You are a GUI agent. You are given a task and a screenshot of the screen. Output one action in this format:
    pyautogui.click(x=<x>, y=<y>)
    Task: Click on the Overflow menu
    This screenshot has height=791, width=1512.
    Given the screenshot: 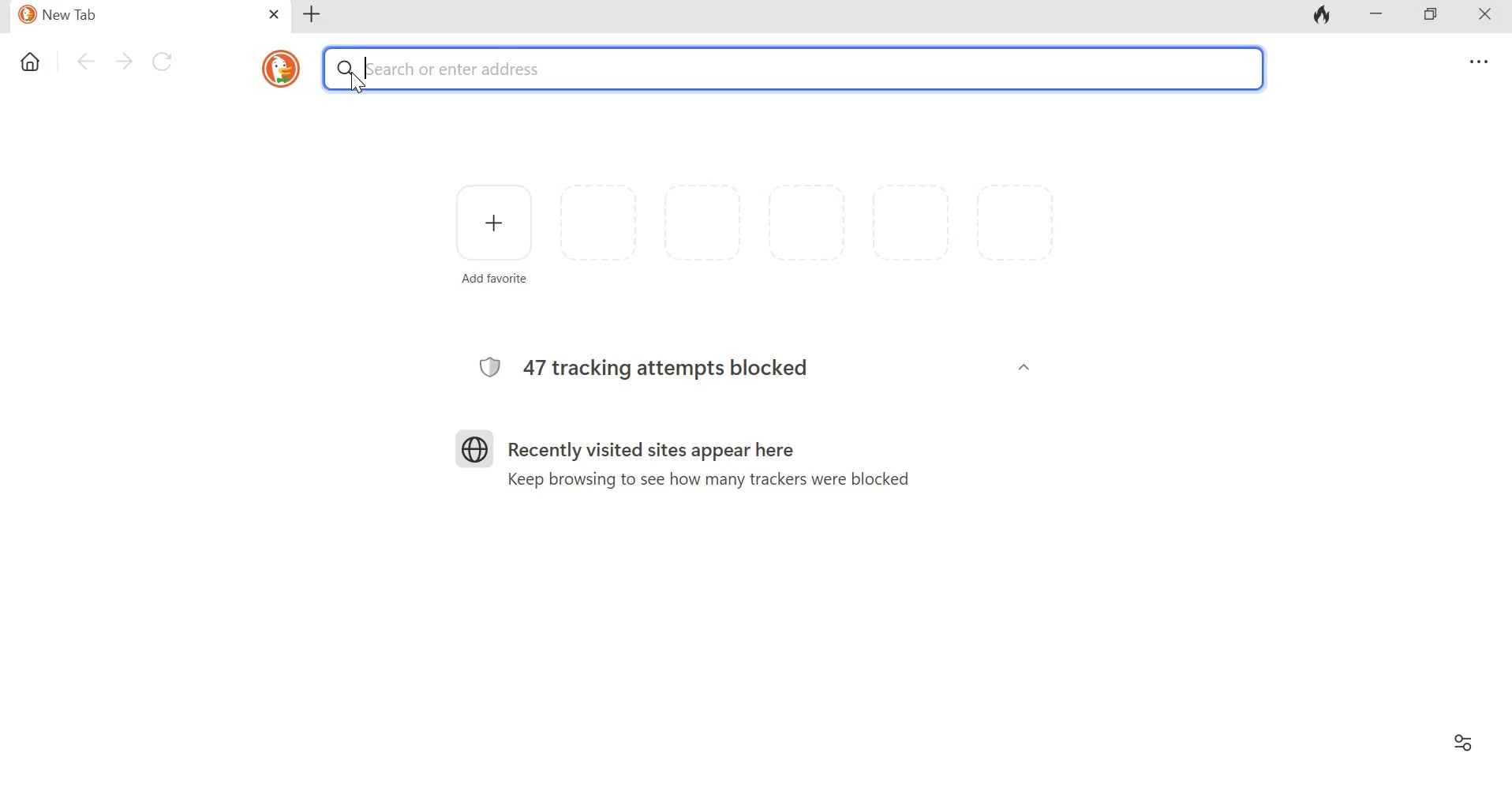 What is the action you would take?
    pyautogui.click(x=1474, y=59)
    